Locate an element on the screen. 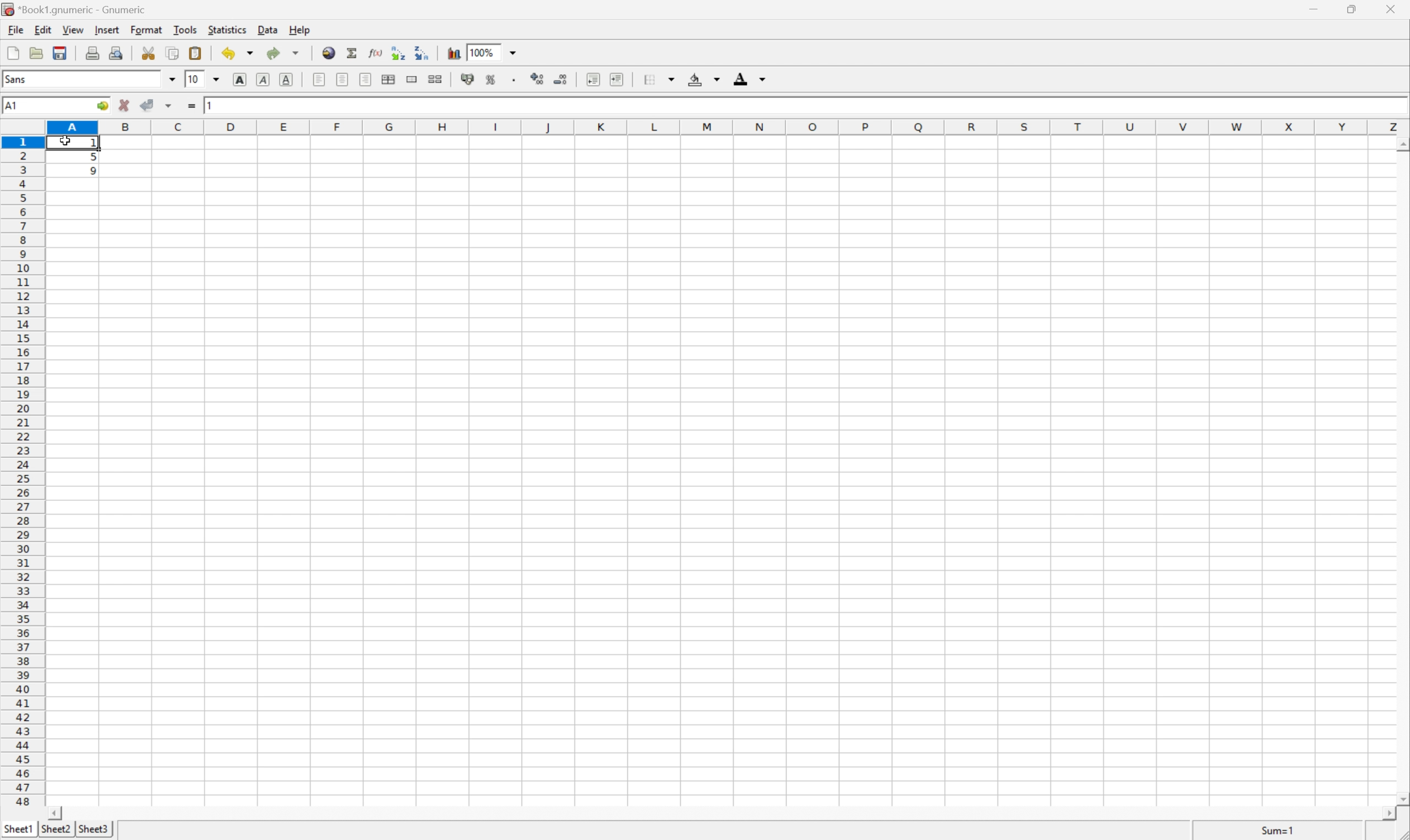  sheet2 is located at coordinates (55, 832).